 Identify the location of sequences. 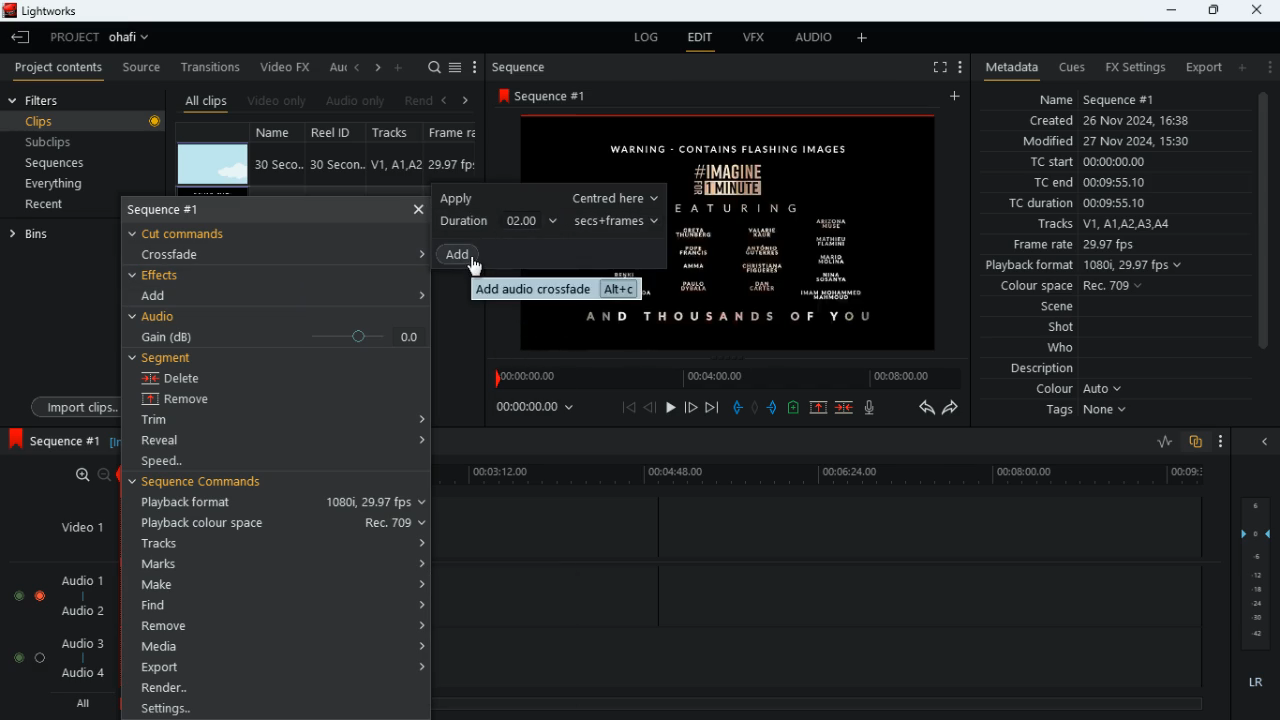
(57, 163).